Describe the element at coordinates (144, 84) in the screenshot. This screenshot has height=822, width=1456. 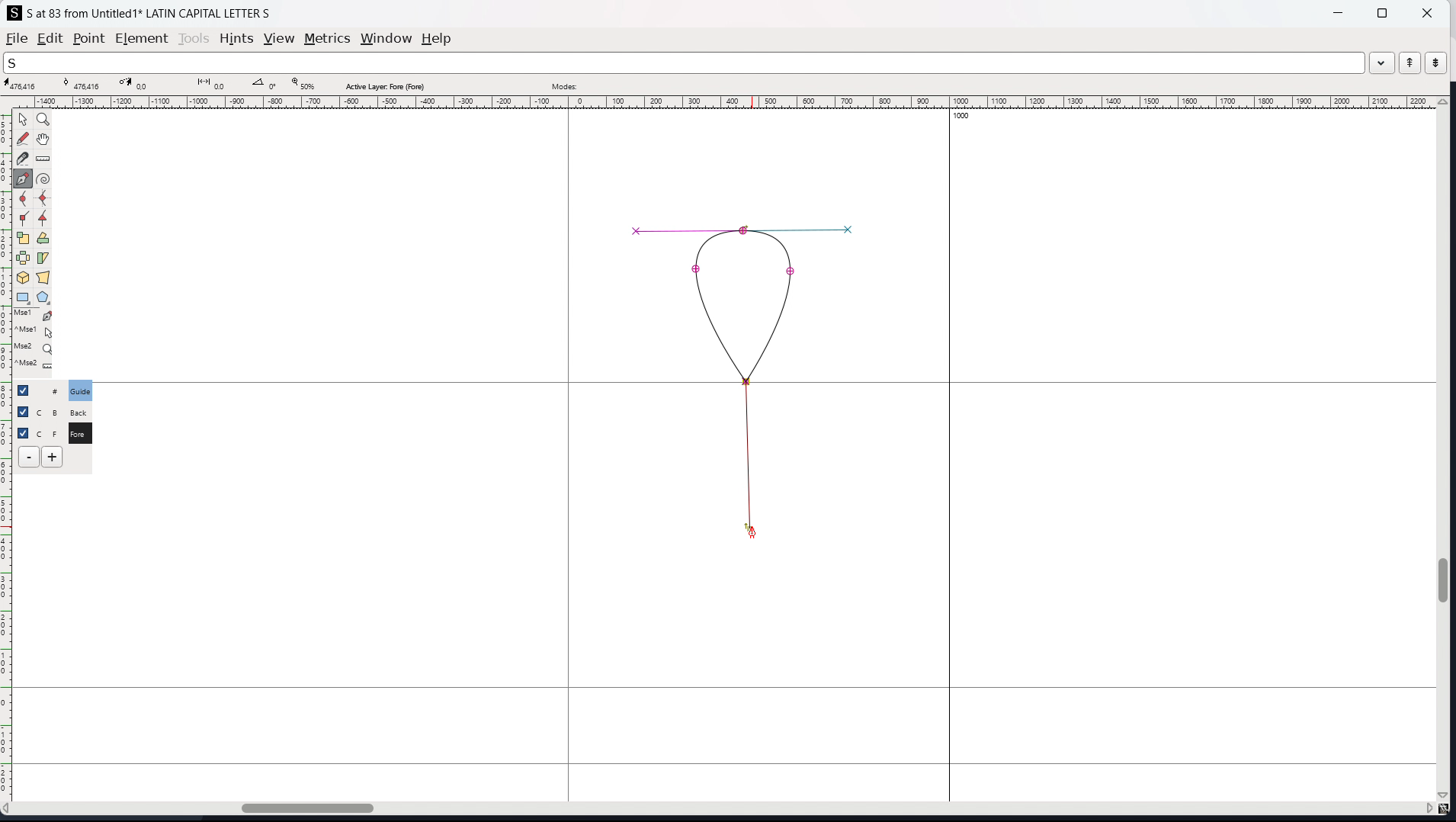
I see `cursor destination coordinate` at that location.